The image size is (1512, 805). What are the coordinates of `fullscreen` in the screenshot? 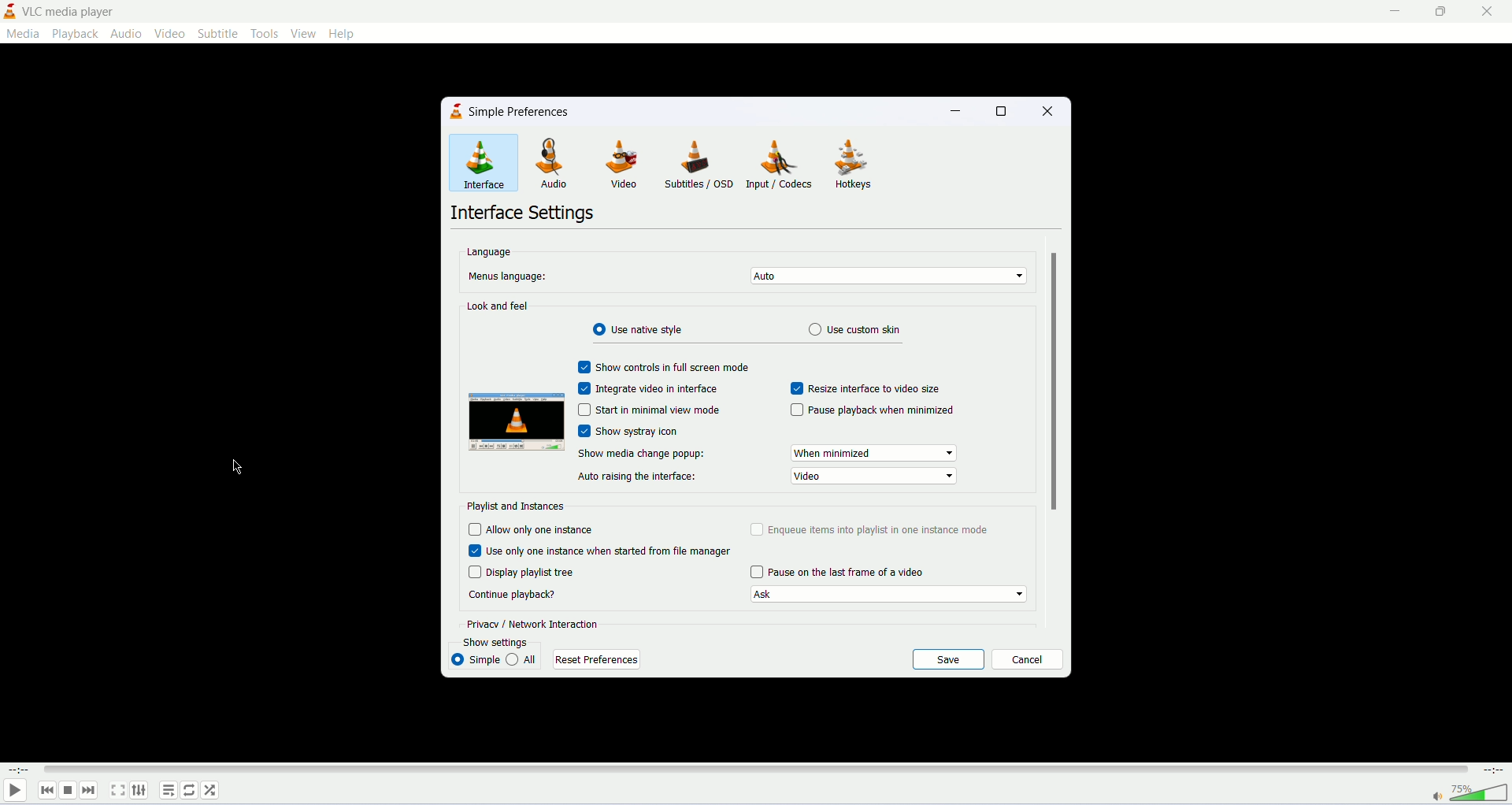 It's located at (117, 790).